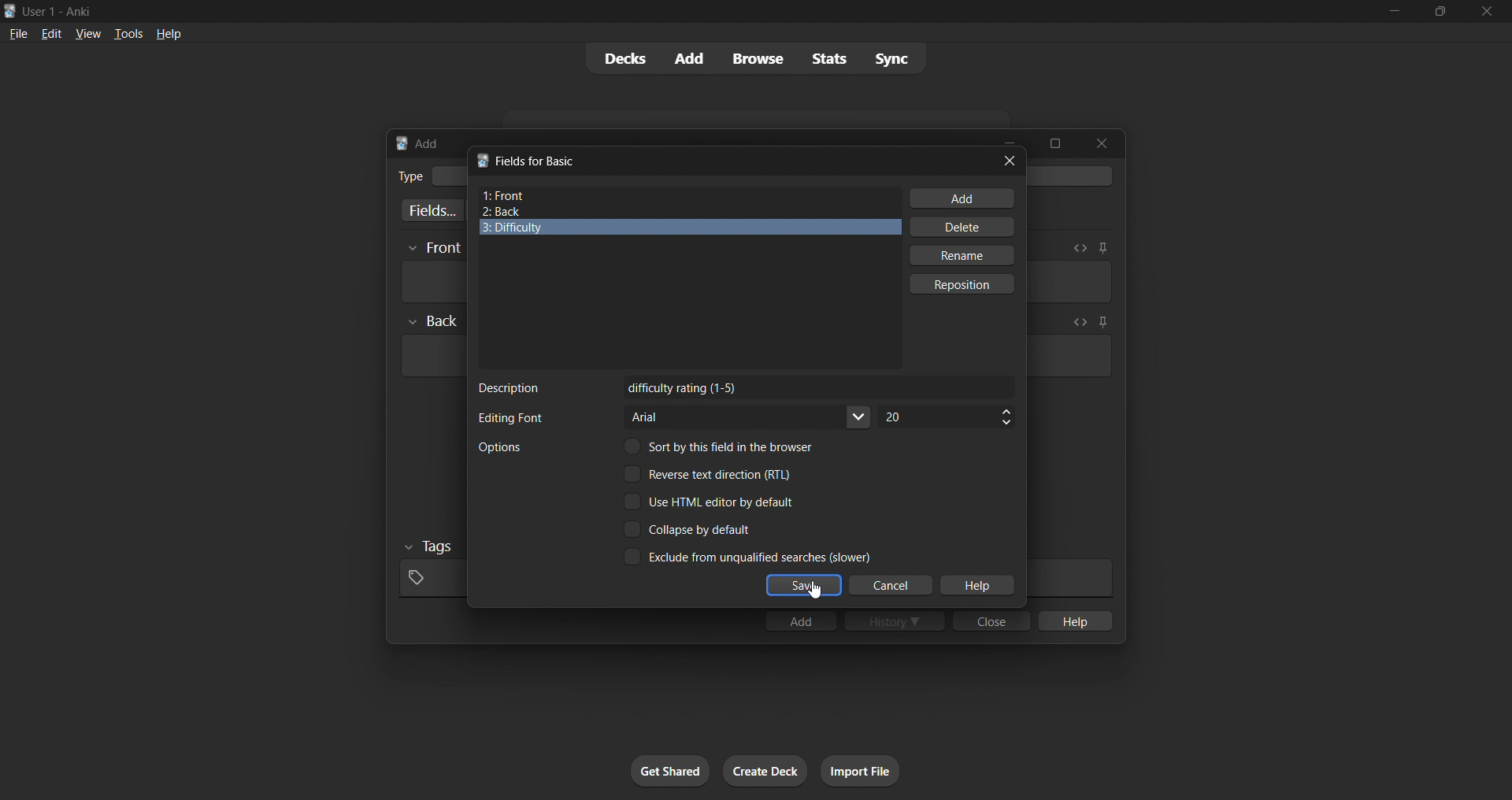 This screenshot has height=800, width=1512. I want to click on cancel, so click(892, 586).